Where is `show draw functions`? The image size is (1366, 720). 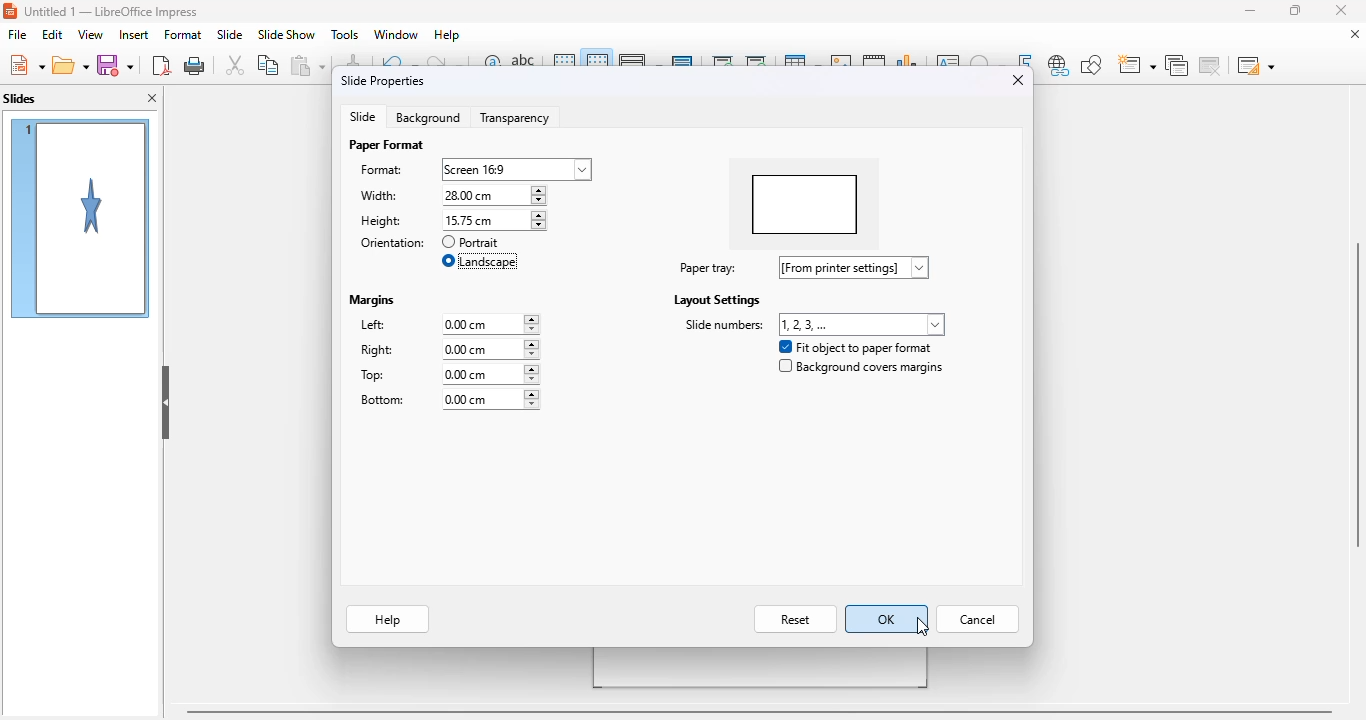 show draw functions is located at coordinates (1091, 65).